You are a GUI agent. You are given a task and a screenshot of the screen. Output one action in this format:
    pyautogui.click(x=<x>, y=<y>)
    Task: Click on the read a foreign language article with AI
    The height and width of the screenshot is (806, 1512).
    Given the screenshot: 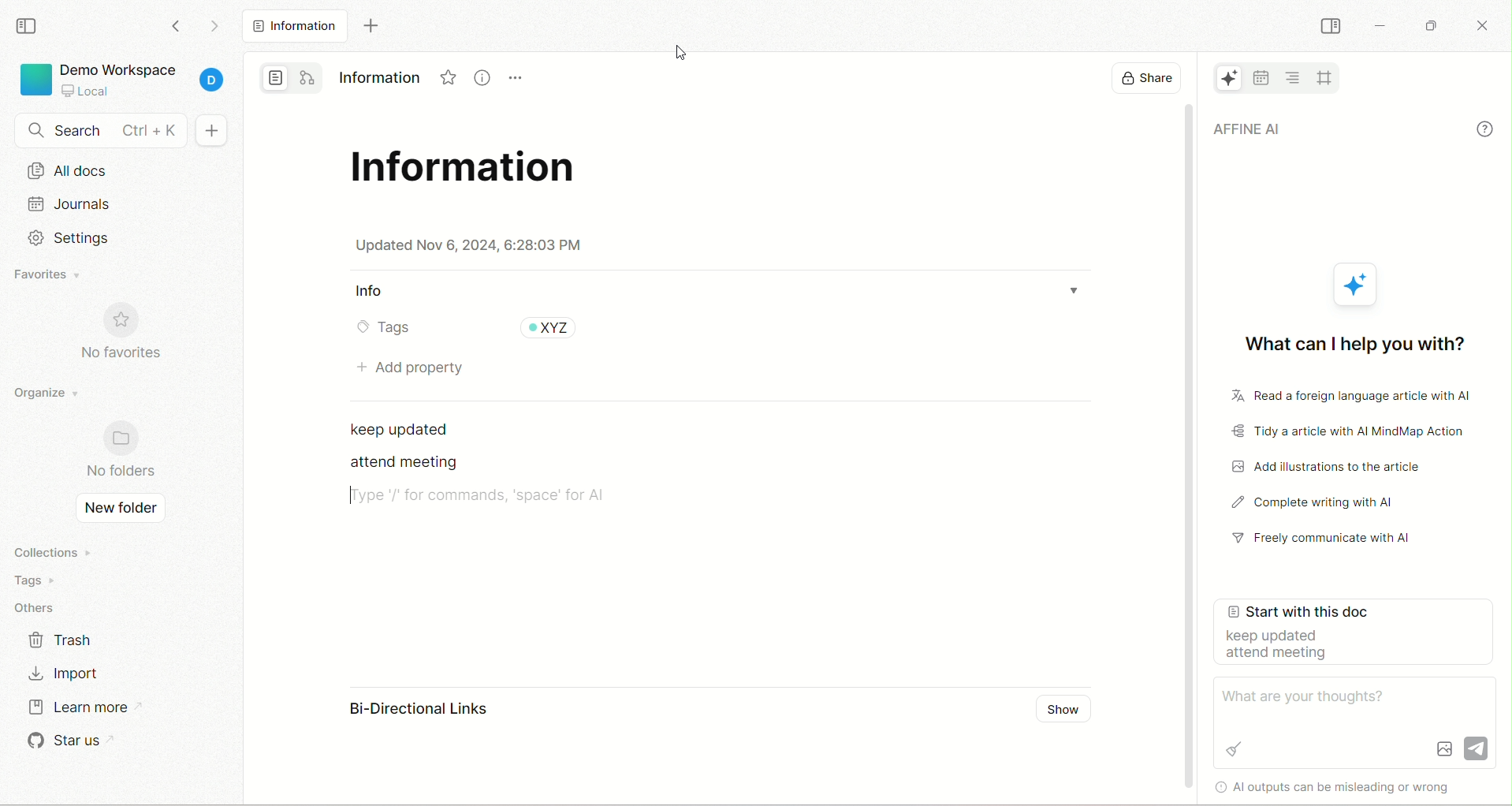 What is the action you would take?
    pyautogui.click(x=1342, y=397)
    